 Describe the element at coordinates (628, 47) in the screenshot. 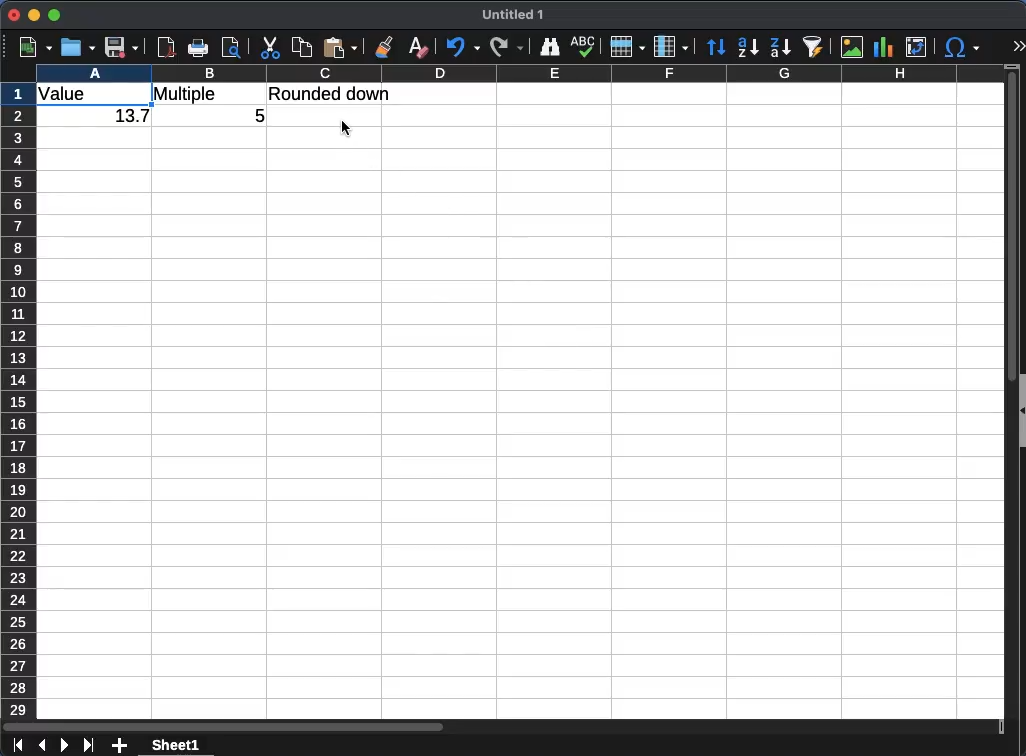

I see `rows` at that location.